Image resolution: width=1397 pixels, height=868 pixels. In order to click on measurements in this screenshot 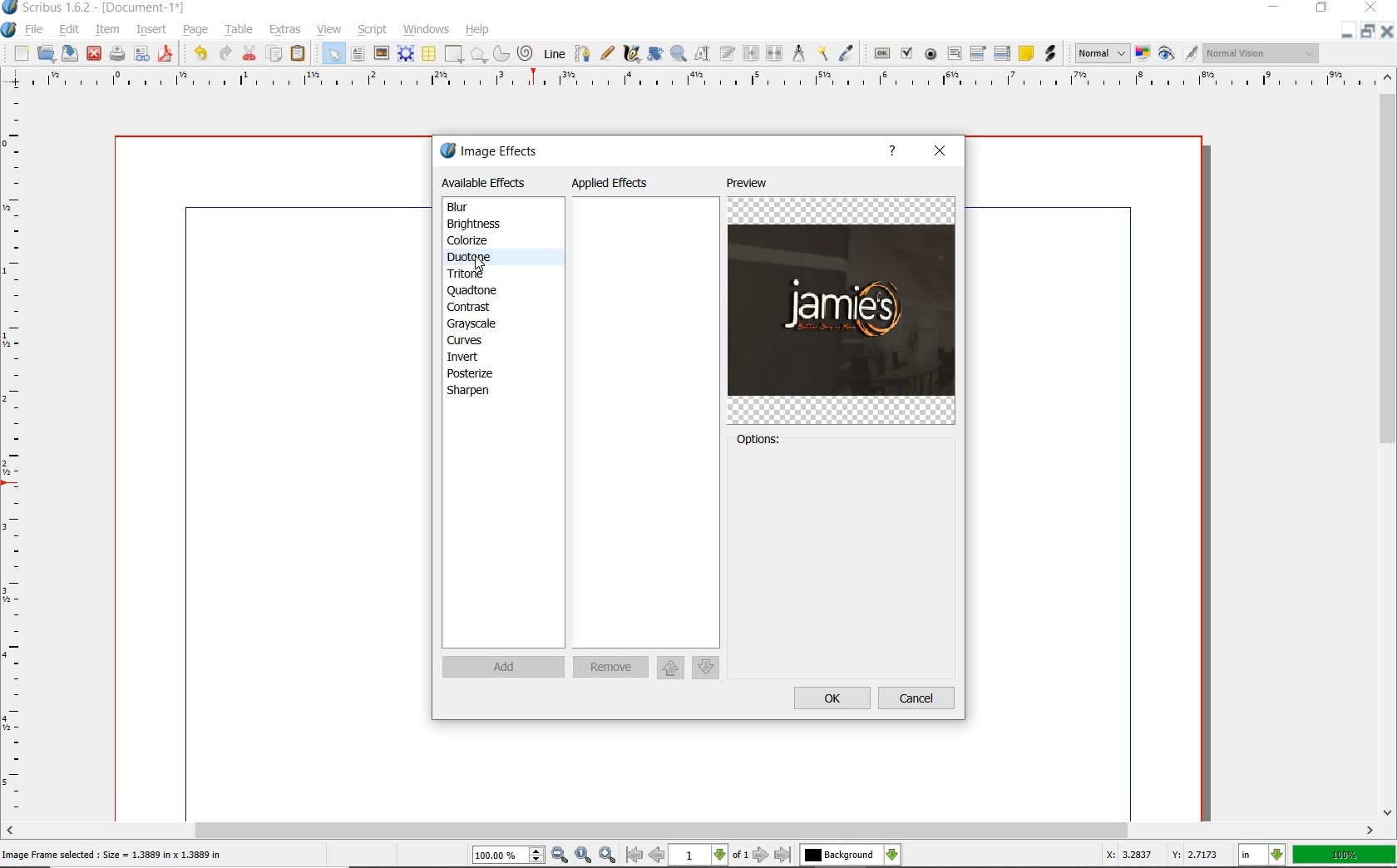, I will do `click(799, 52)`.